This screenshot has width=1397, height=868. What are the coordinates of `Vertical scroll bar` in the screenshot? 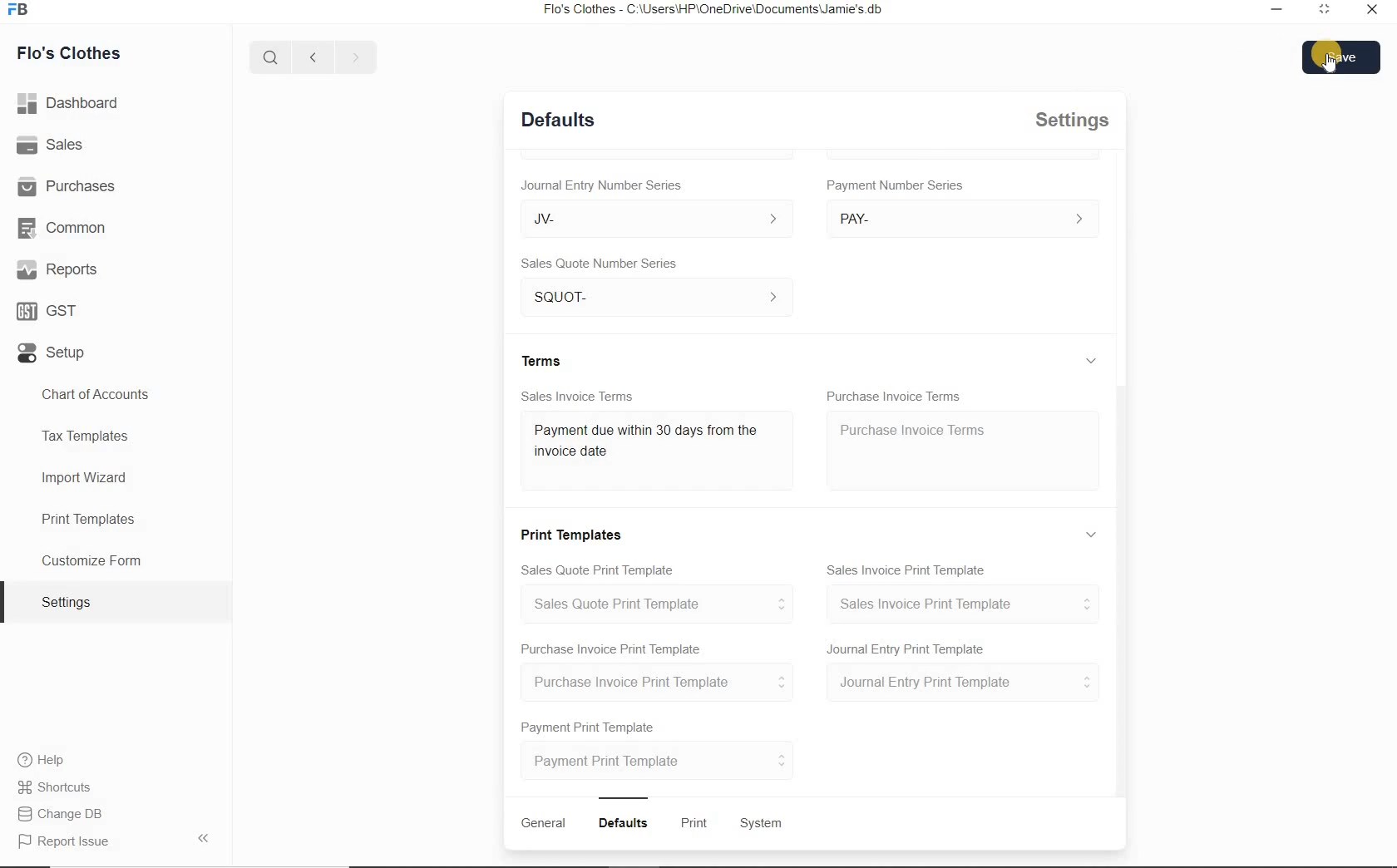 It's located at (1118, 591).